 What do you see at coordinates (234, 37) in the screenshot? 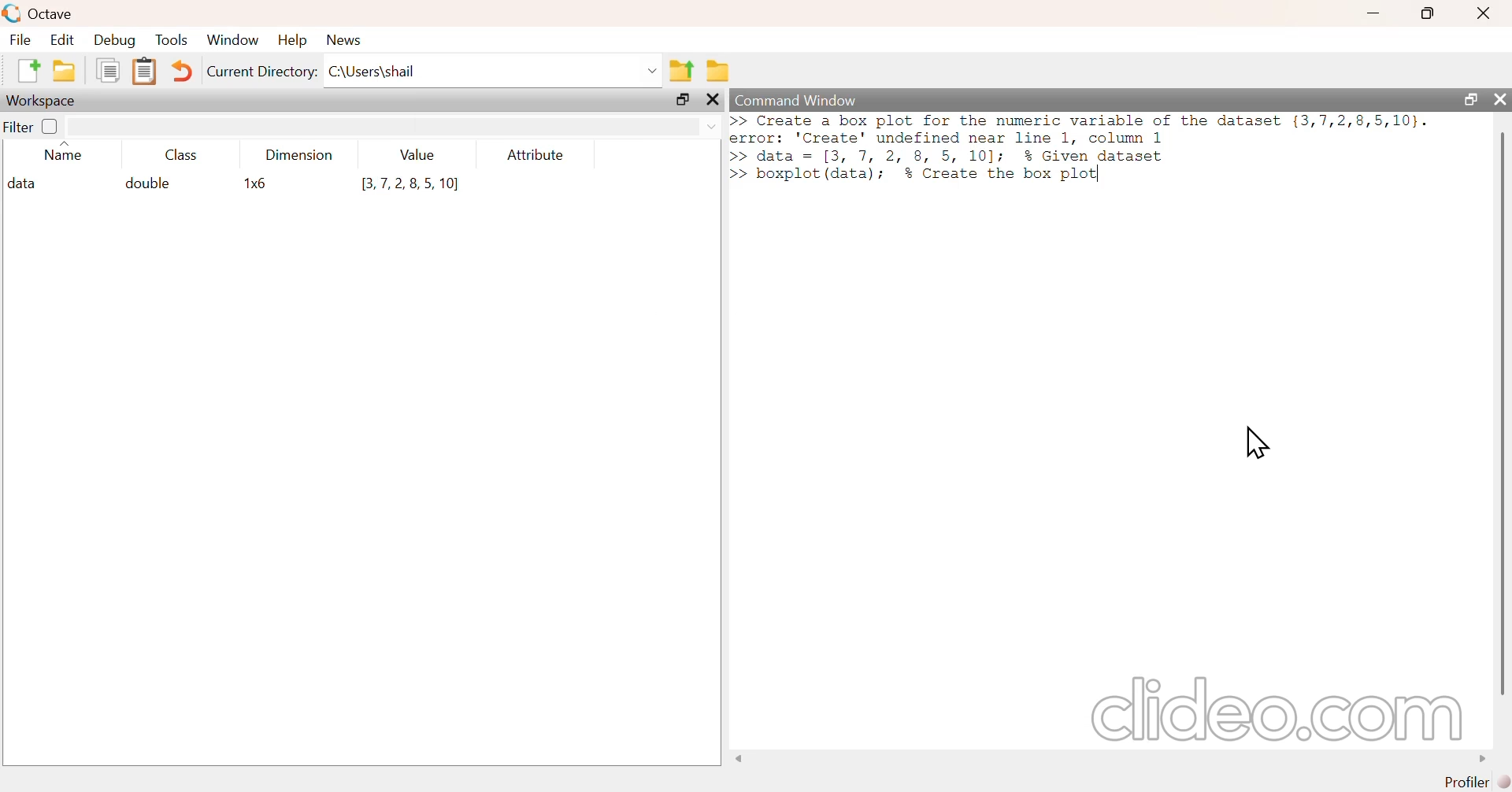
I see `window` at bounding box center [234, 37].